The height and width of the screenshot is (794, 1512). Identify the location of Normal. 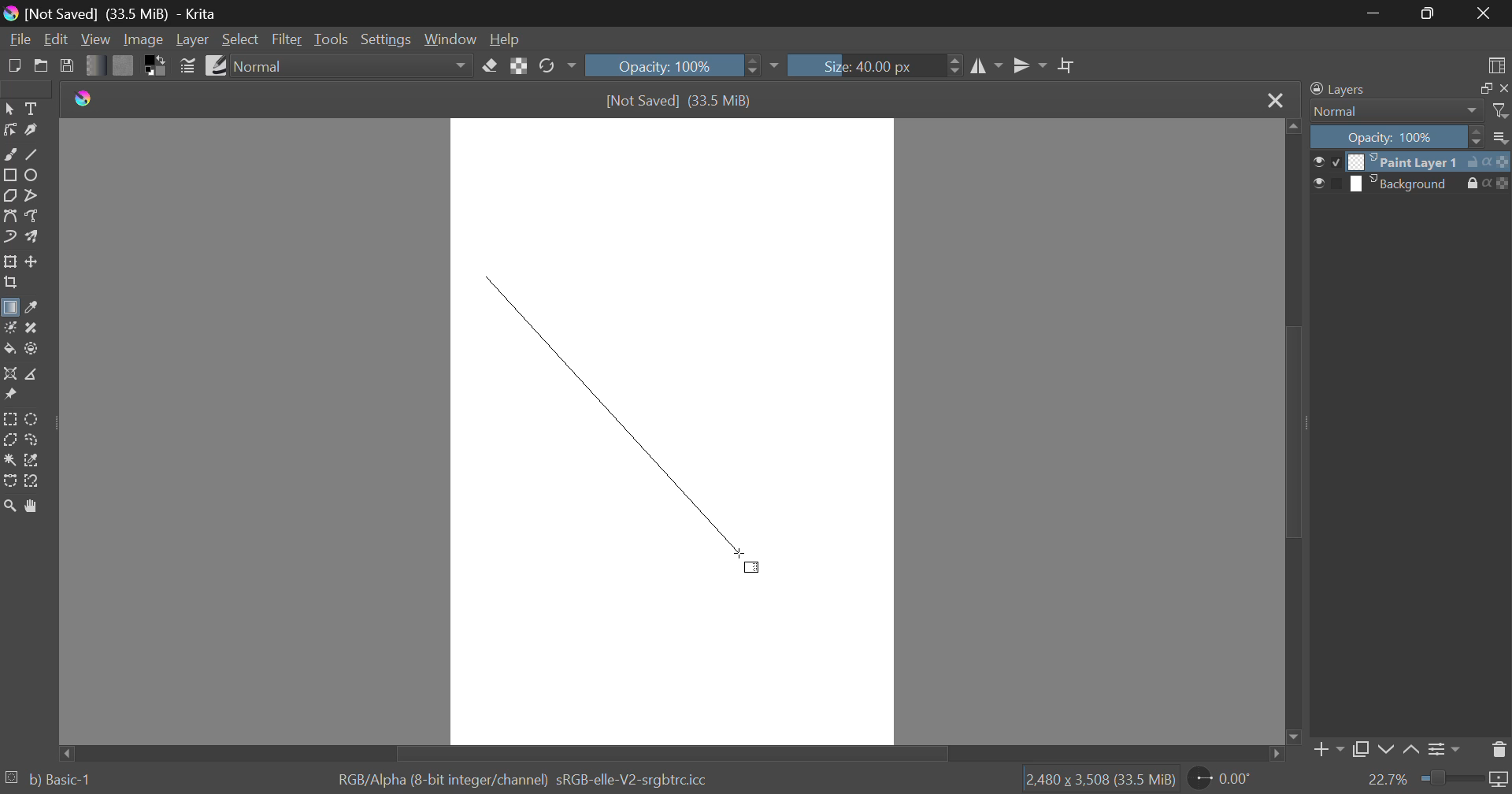
(1388, 111).